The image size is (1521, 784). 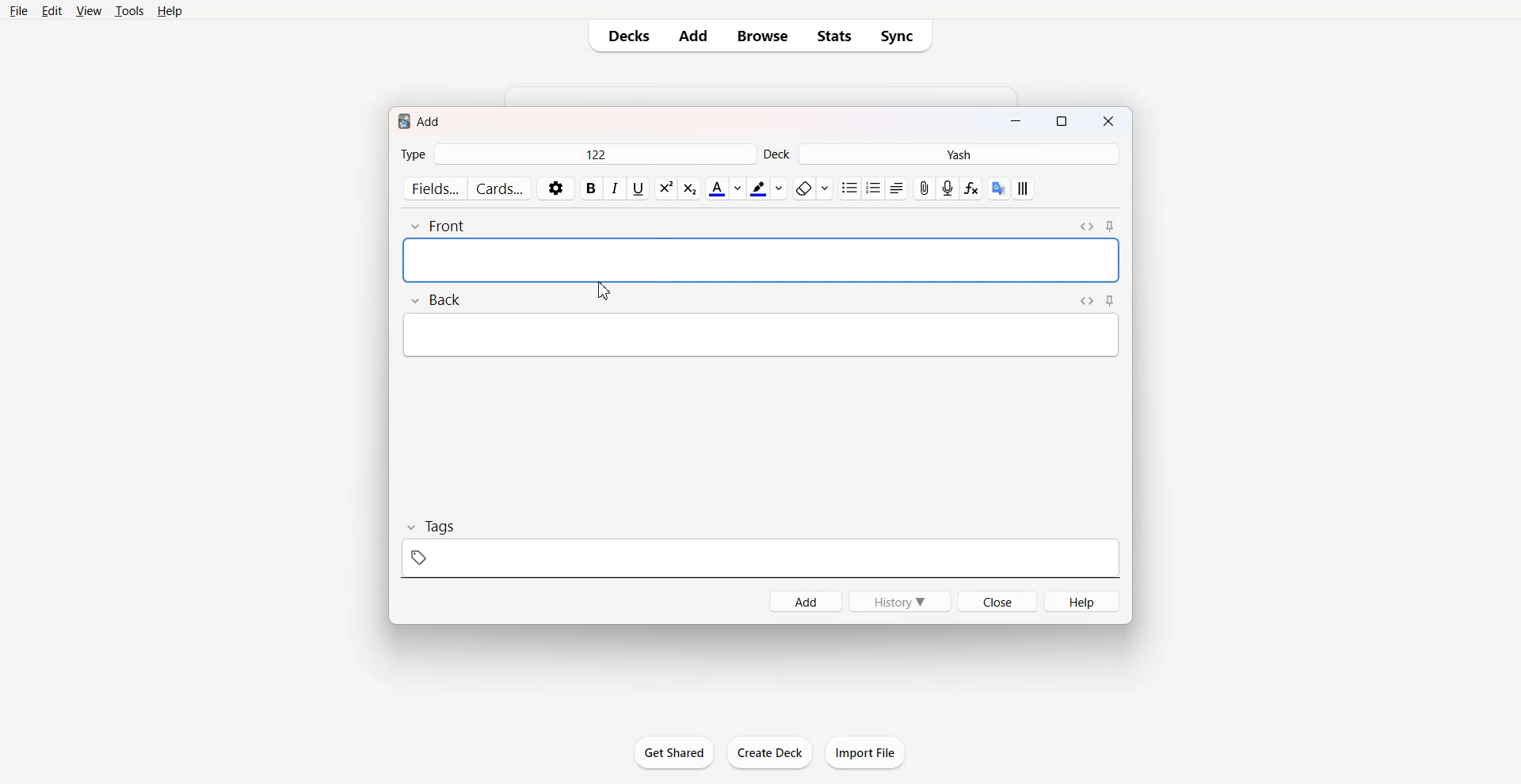 I want to click on Type, so click(x=577, y=155).